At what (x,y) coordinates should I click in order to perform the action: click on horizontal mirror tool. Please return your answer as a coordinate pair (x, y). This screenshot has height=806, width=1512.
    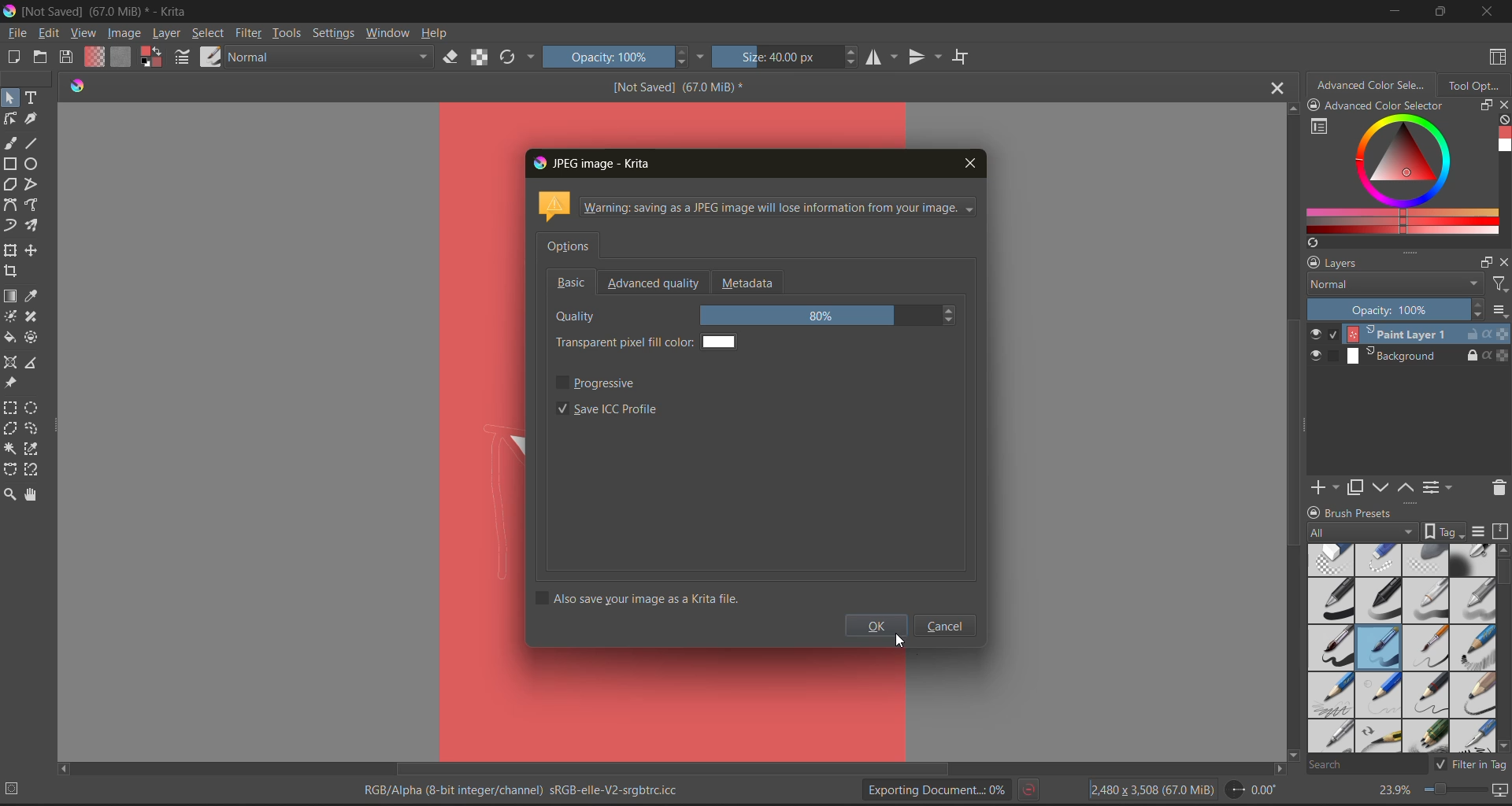
    Looking at the image, I should click on (884, 58).